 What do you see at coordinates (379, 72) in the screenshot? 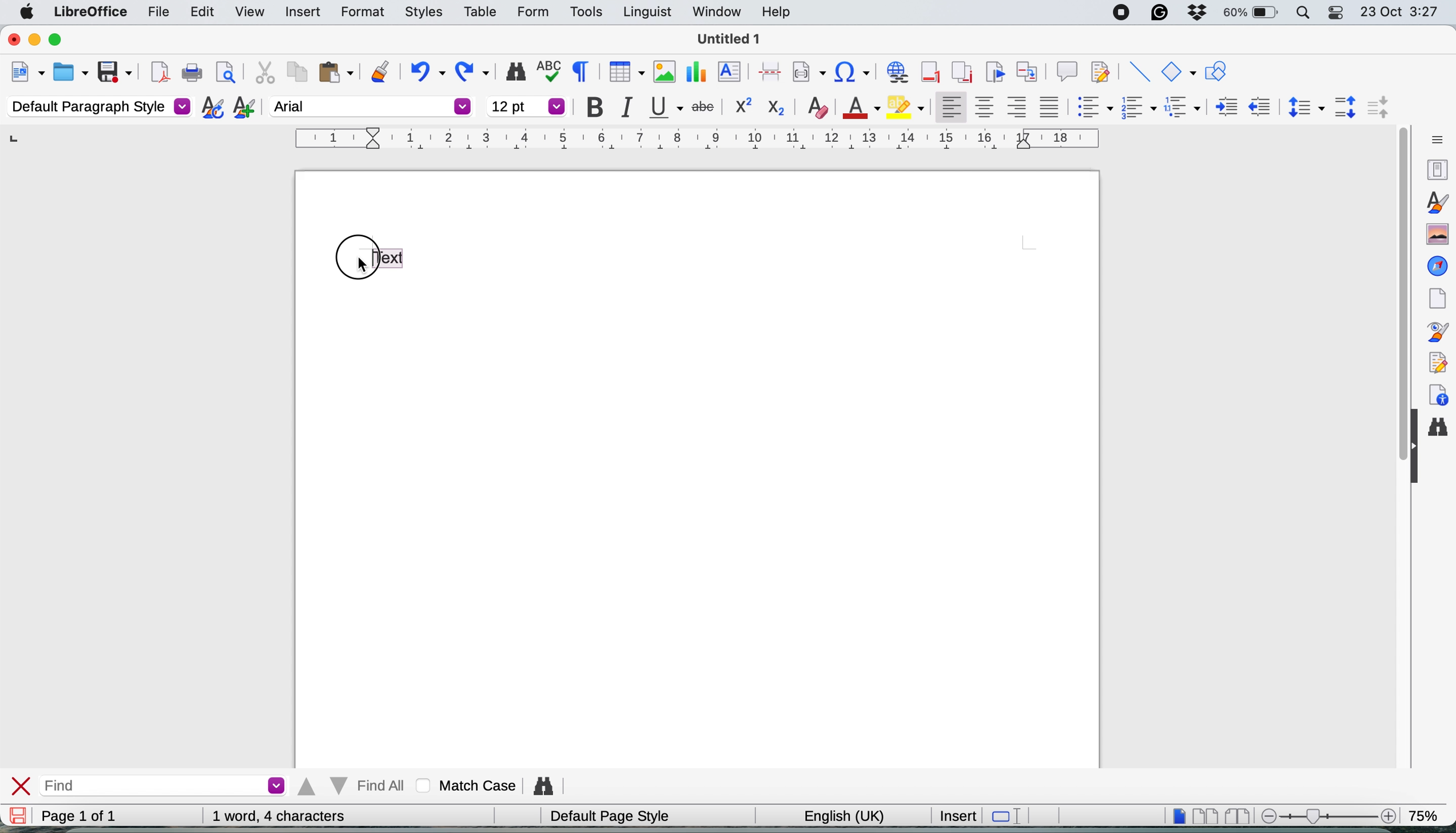
I see `clone formatting` at bounding box center [379, 72].